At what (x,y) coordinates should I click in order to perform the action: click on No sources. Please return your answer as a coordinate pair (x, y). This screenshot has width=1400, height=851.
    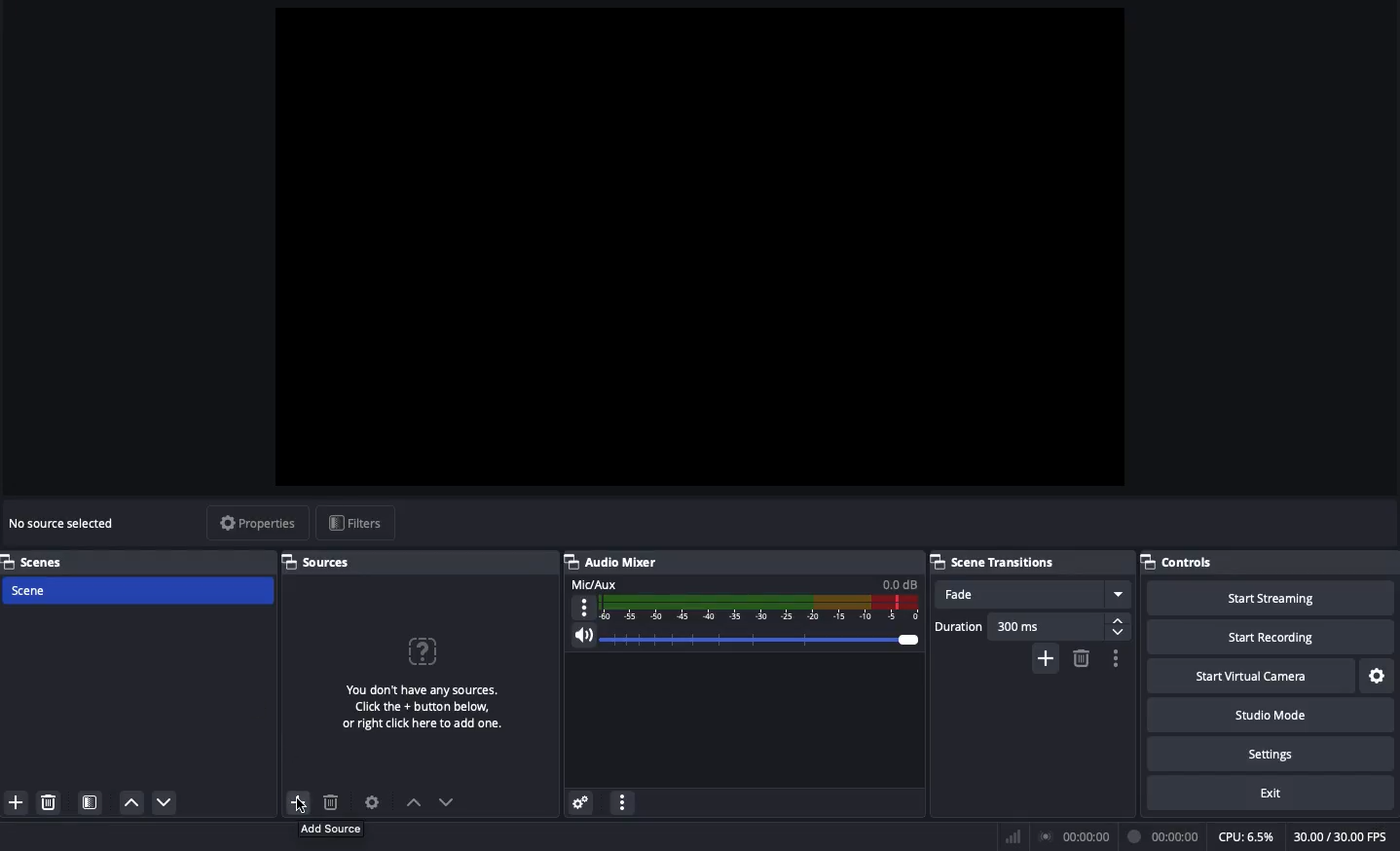
    Looking at the image, I should click on (424, 673).